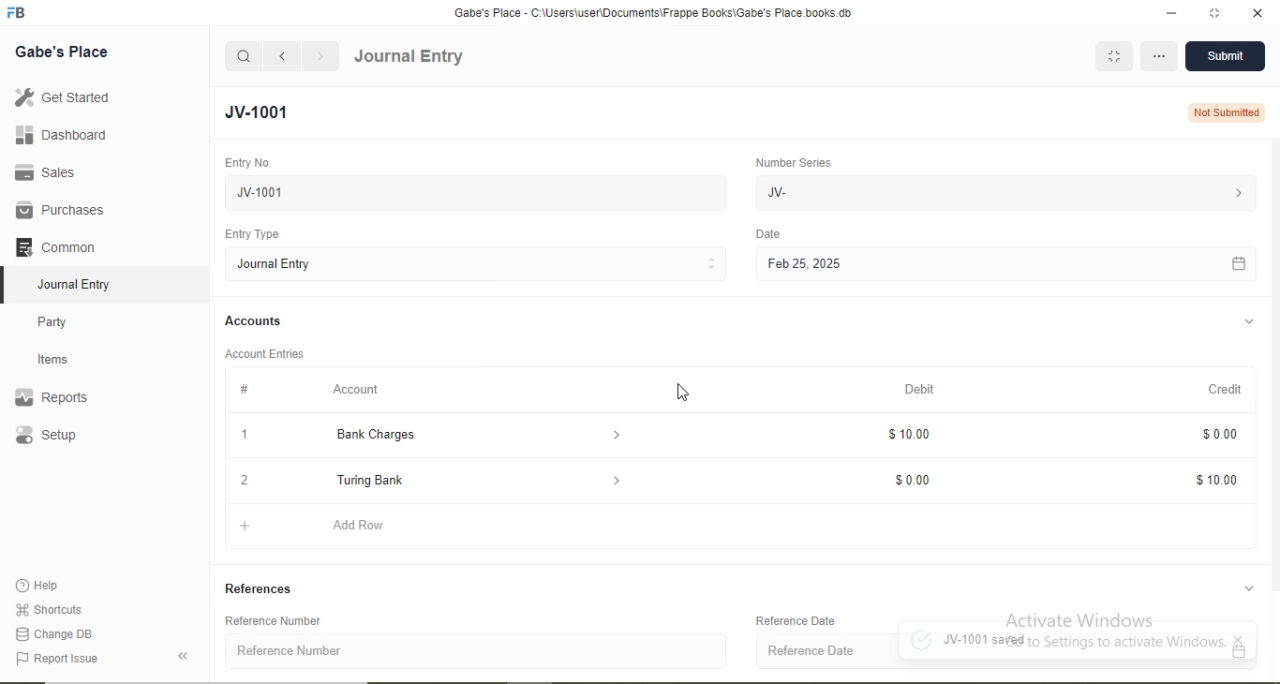 The height and width of the screenshot is (684, 1280). What do you see at coordinates (1249, 322) in the screenshot?
I see `collapse/expand` at bounding box center [1249, 322].